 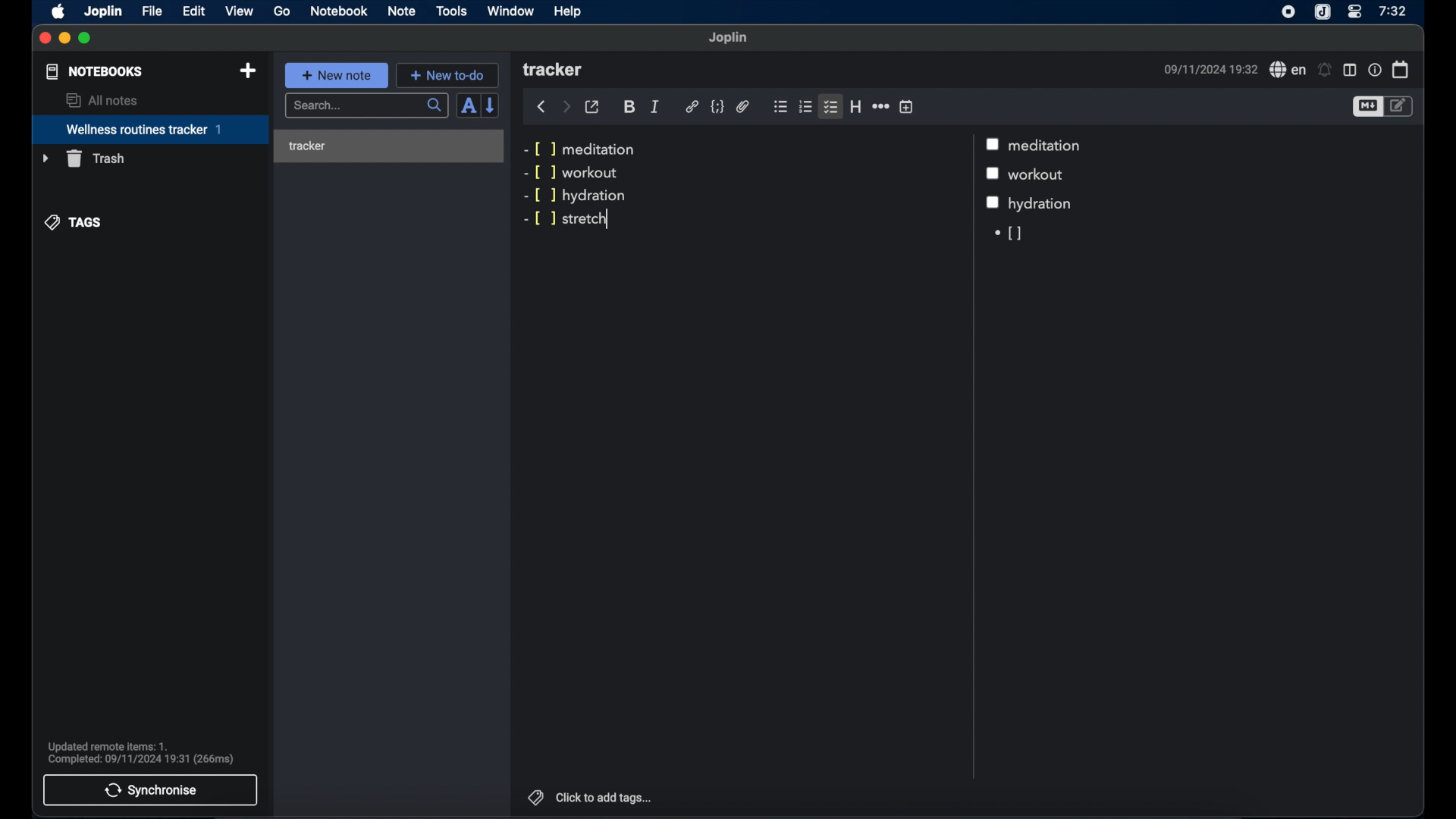 What do you see at coordinates (806, 107) in the screenshot?
I see `numbered list` at bounding box center [806, 107].